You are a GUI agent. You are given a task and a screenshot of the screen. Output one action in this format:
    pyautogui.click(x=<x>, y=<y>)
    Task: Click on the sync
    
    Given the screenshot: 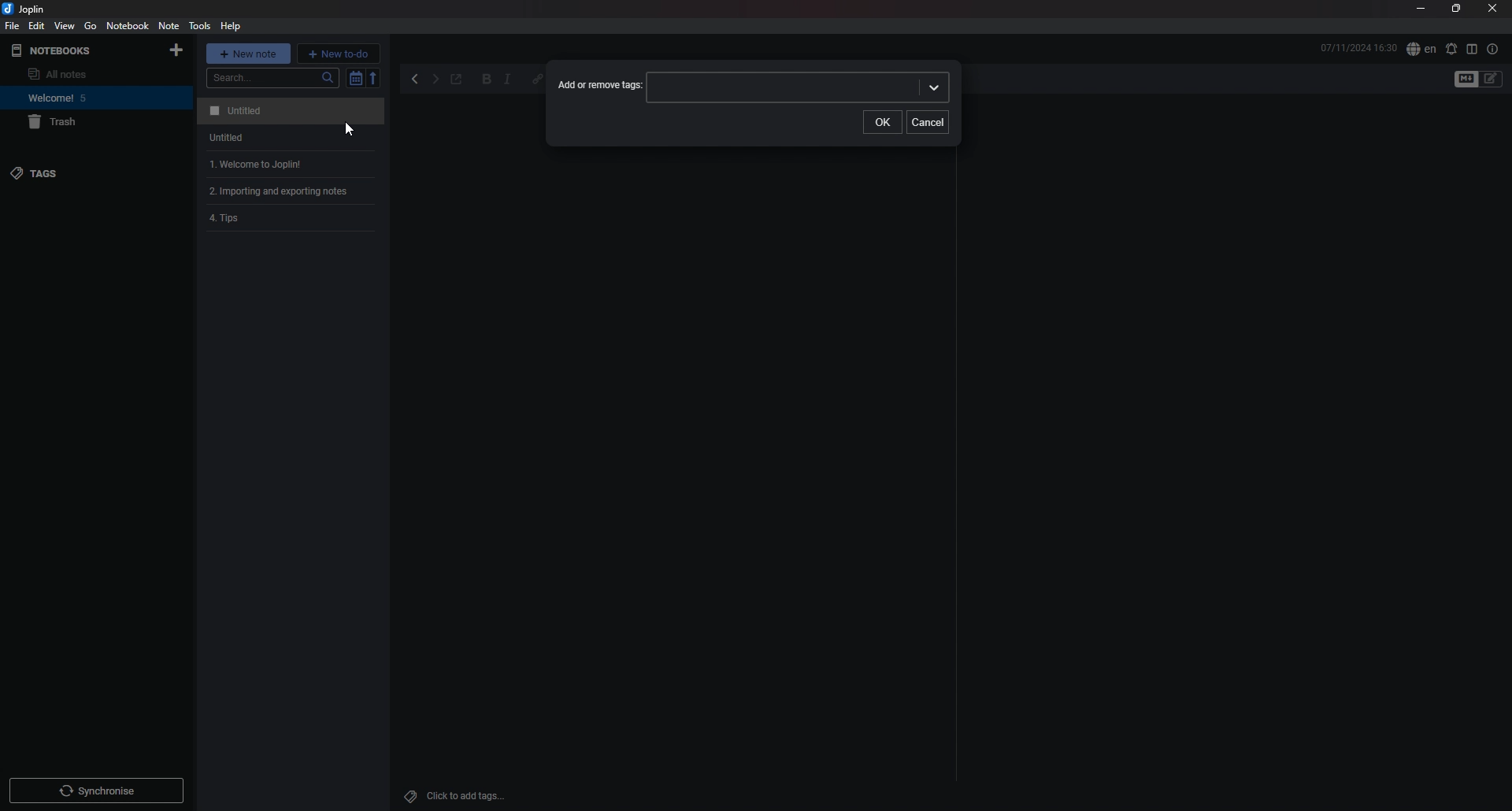 What is the action you would take?
    pyautogui.click(x=96, y=791)
    